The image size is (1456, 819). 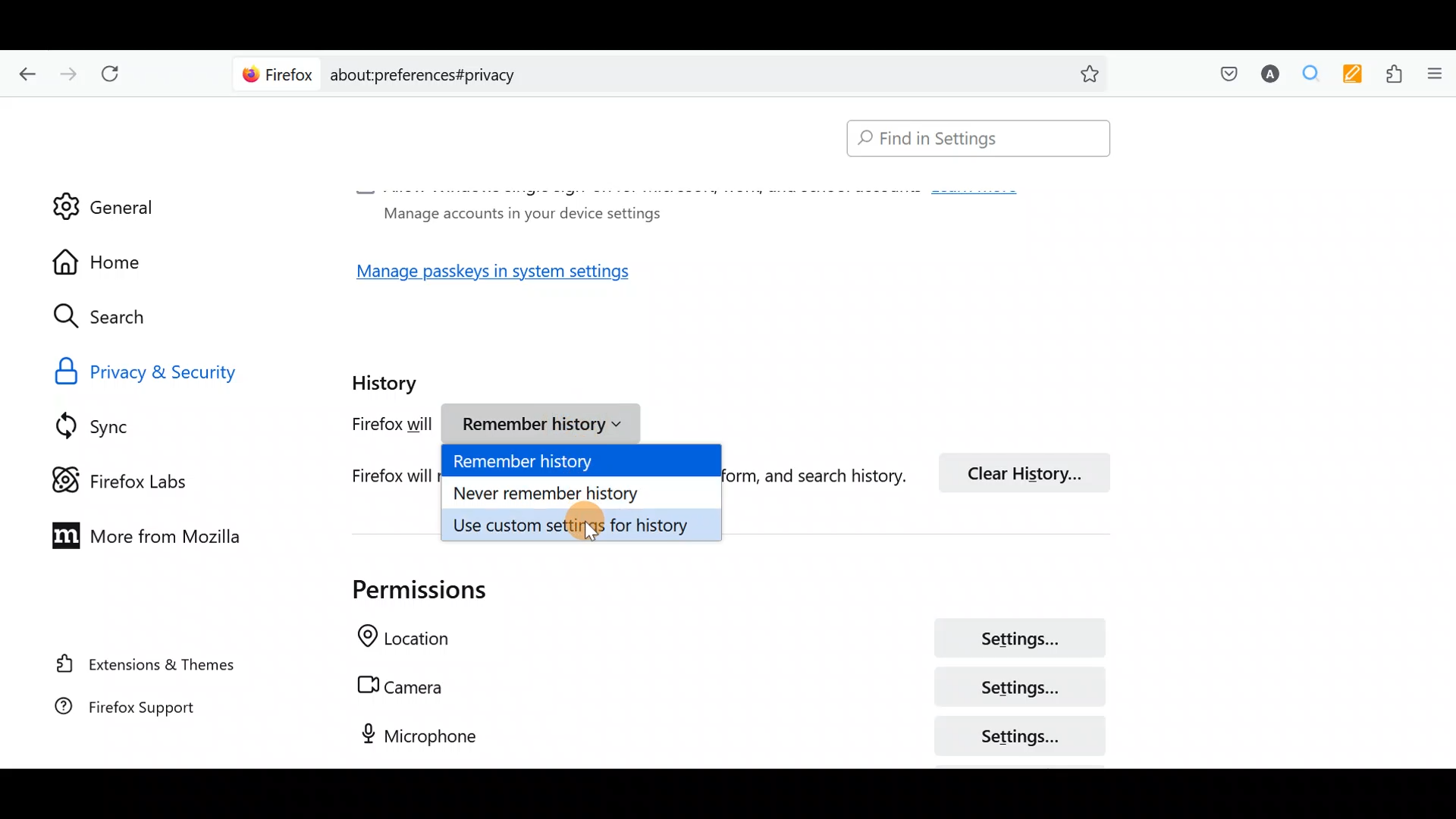 What do you see at coordinates (547, 426) in the screenshot?
I see `Remember history` at bounding box center [547, 426].